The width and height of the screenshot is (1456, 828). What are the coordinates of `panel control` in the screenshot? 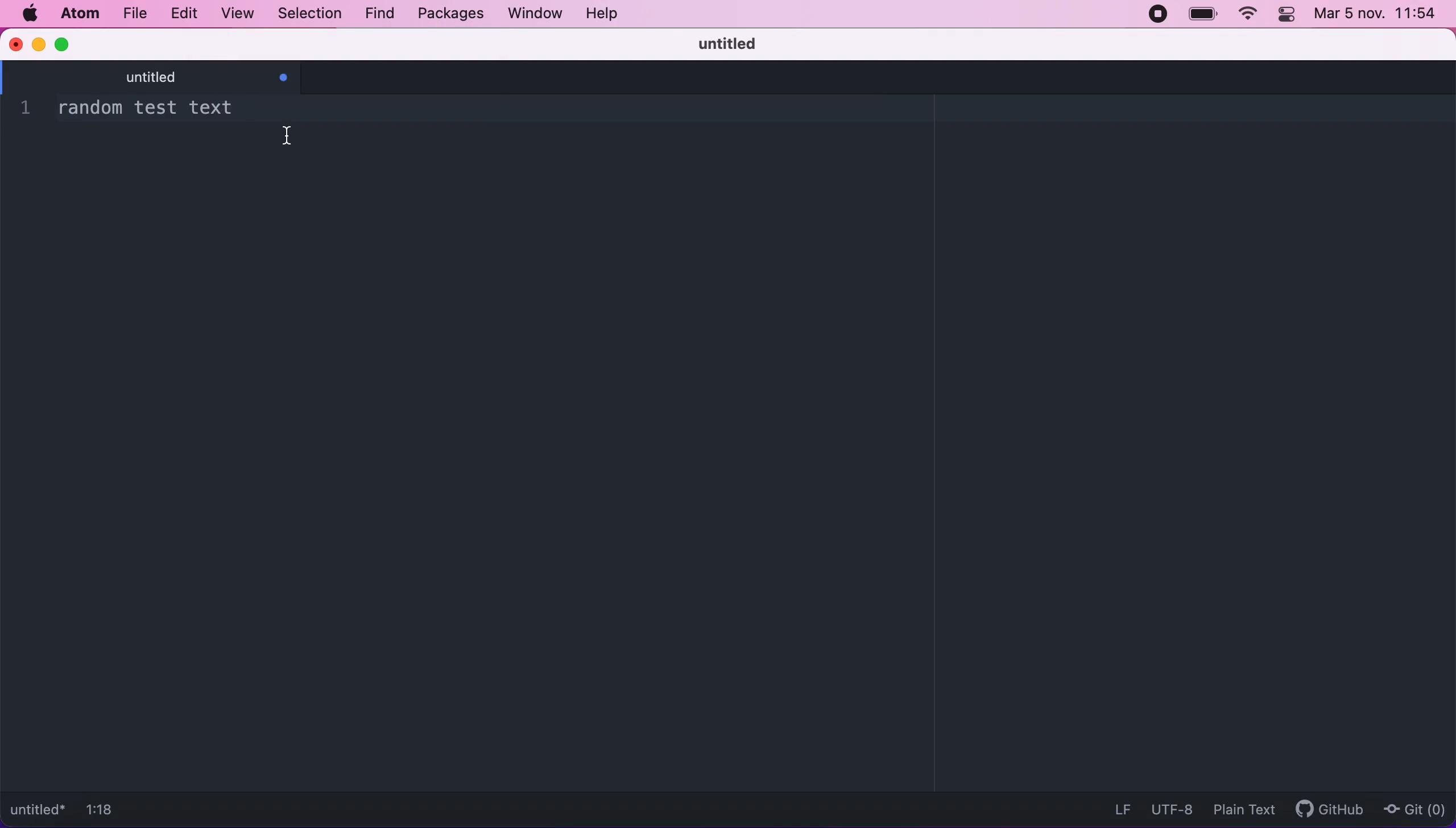 It's located at (1288, 15).